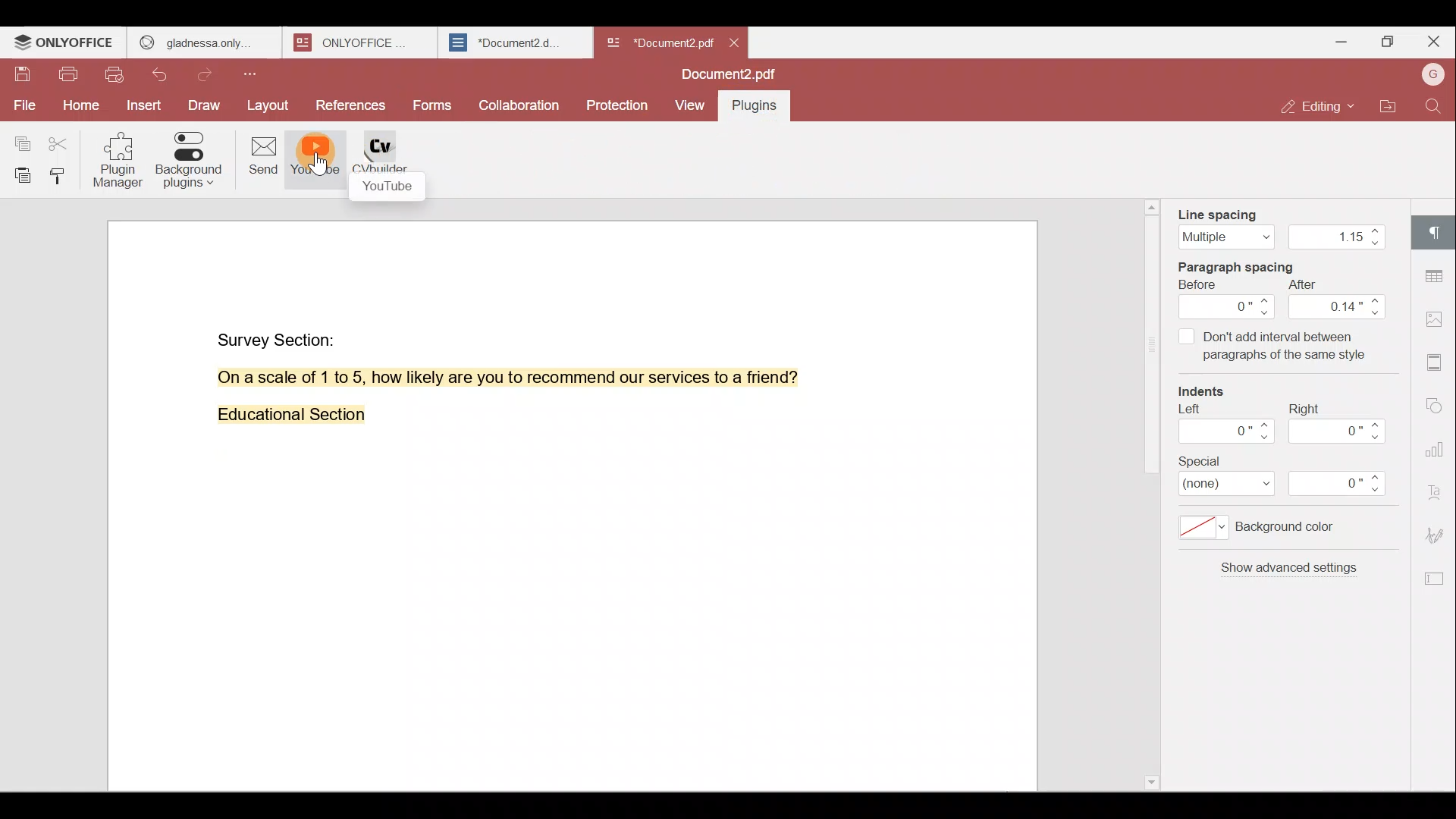  Describe the element at coordinates (206, 107) in the screenshot. I see `Draw` at that location.